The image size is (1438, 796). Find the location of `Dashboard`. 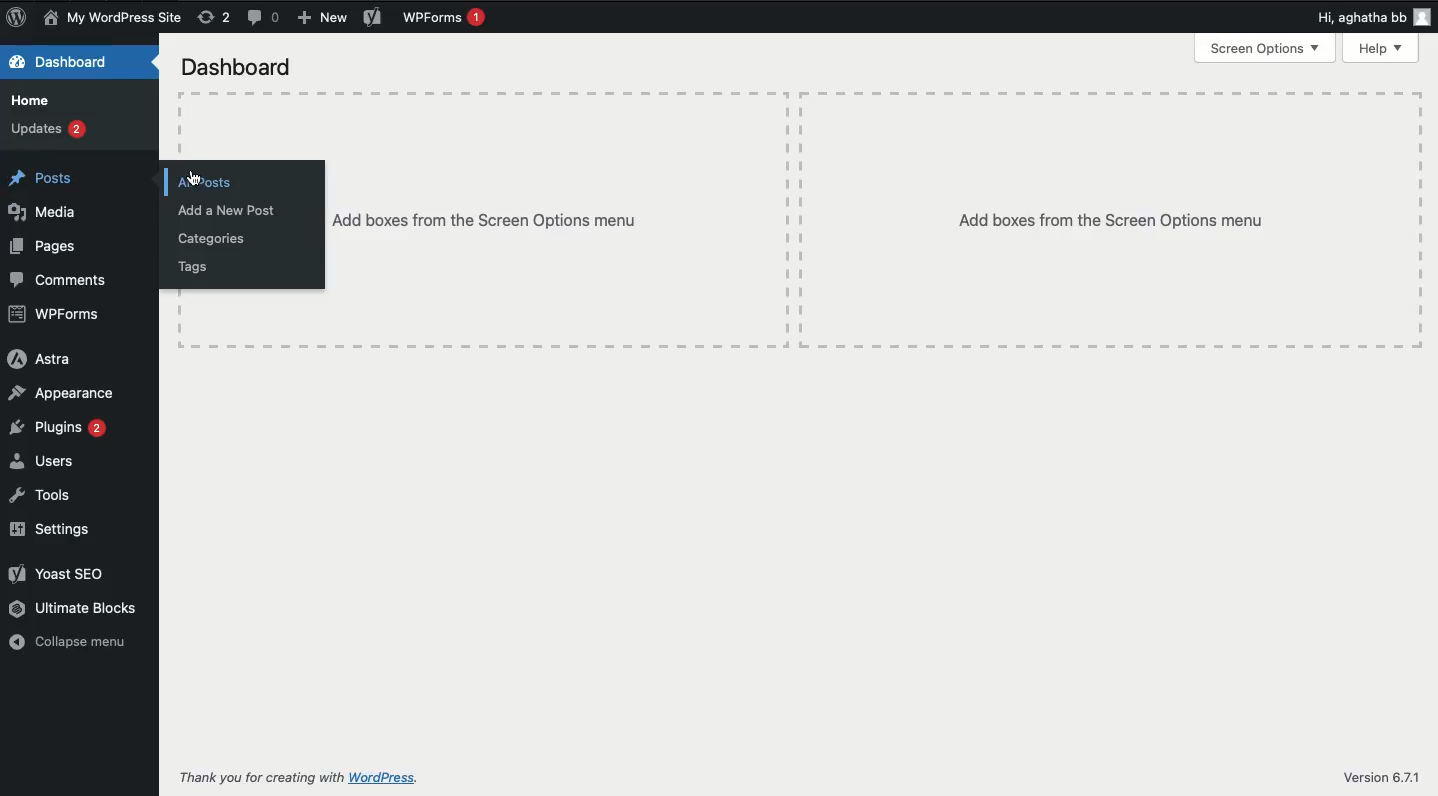

Dashboard is located at coordinates (69, 63).